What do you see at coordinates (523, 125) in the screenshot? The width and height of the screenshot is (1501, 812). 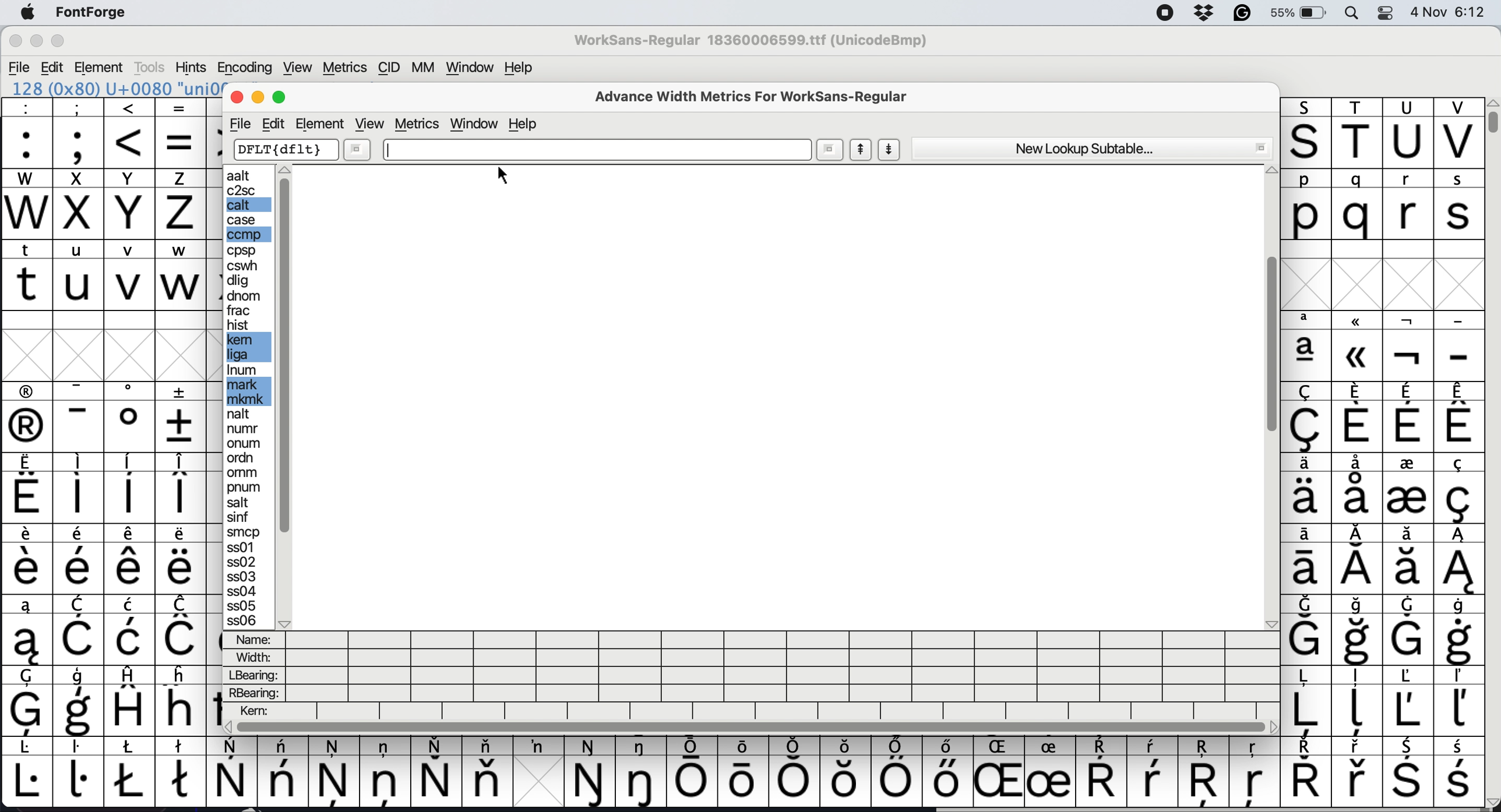 I see `help` at bounding box center [523, 125].